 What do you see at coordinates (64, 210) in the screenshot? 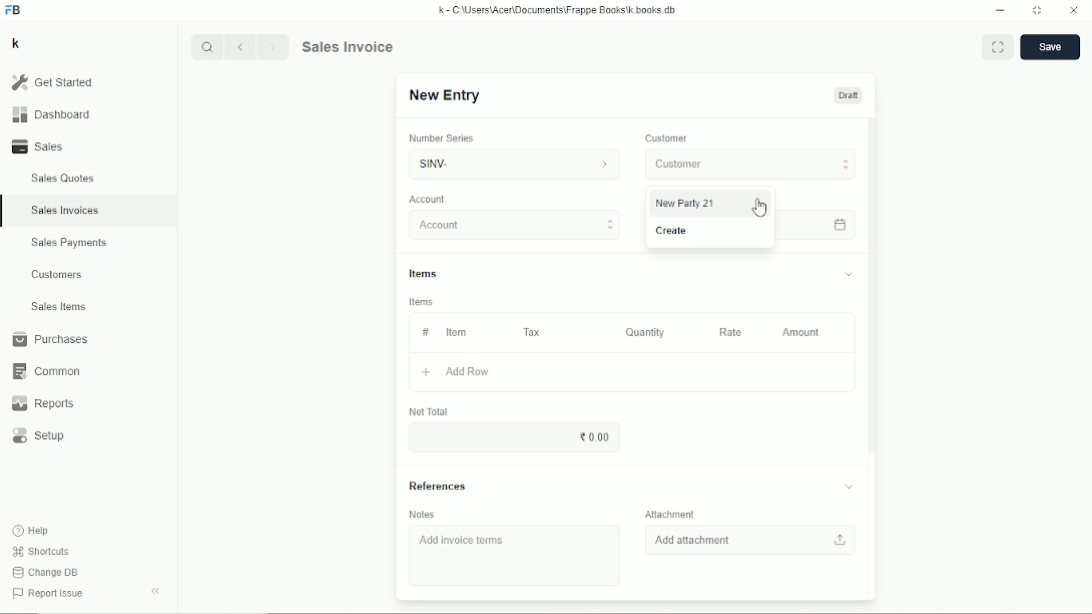
I see `Sales invoices` at bounding box center [64, 210].